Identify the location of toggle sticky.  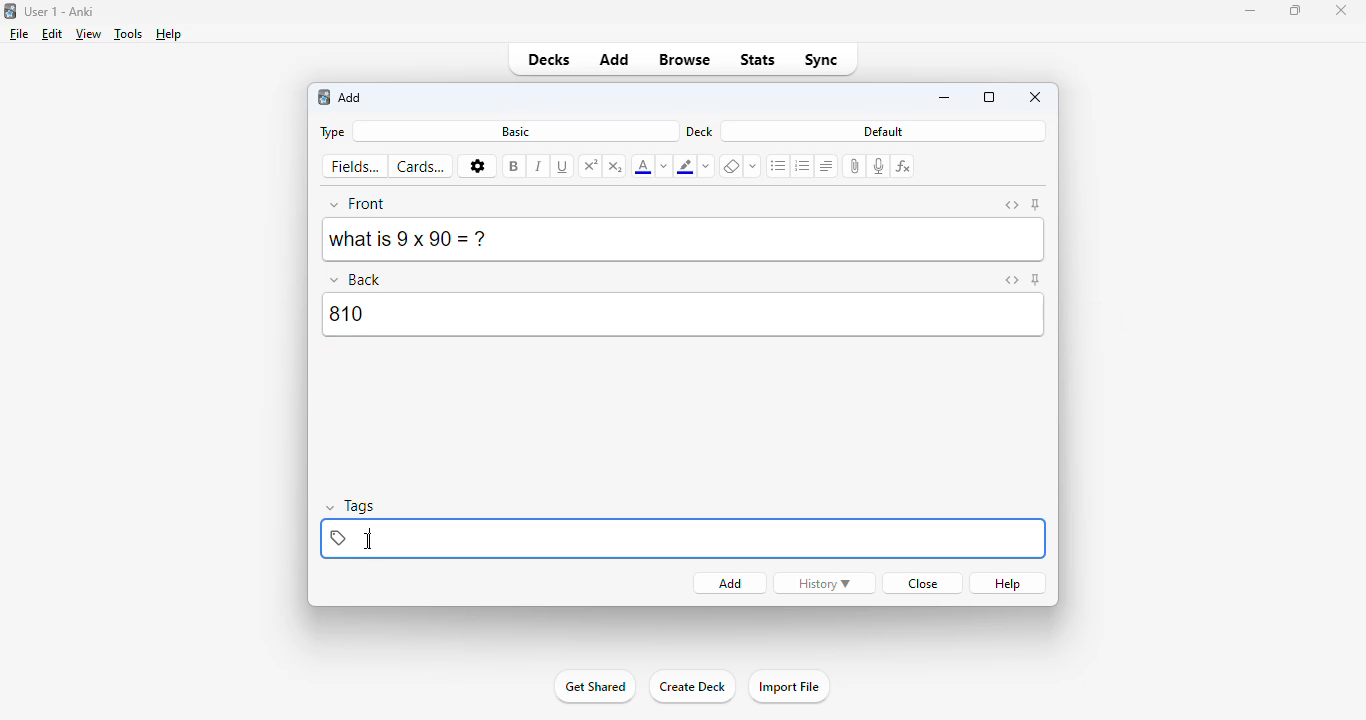
(1036, 279).